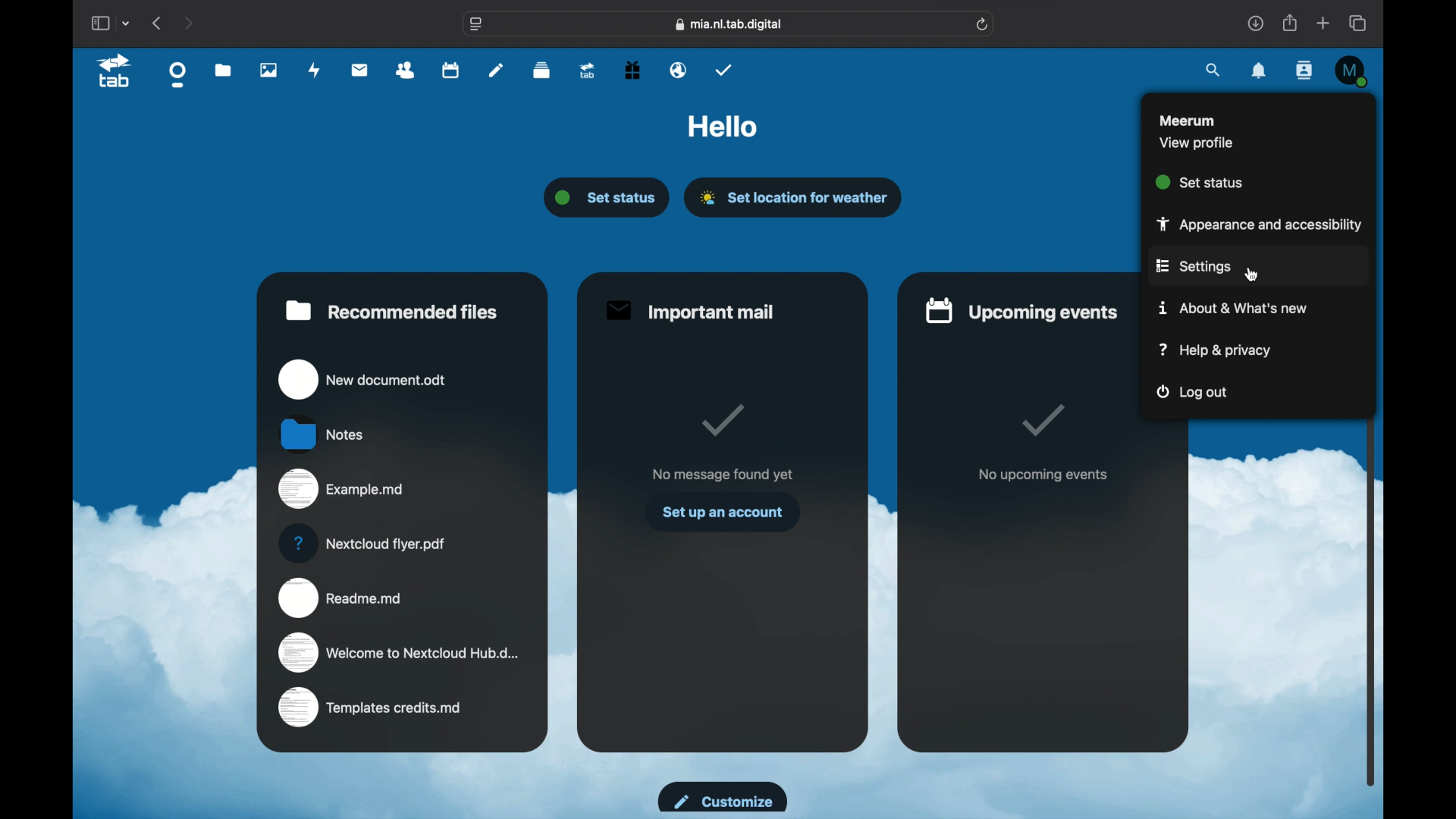 This screenshot has width=1456, height=819. What do you see at coordinates (361, 70) in the screenshot?
I see `mail` at bounding box center [361, 70].